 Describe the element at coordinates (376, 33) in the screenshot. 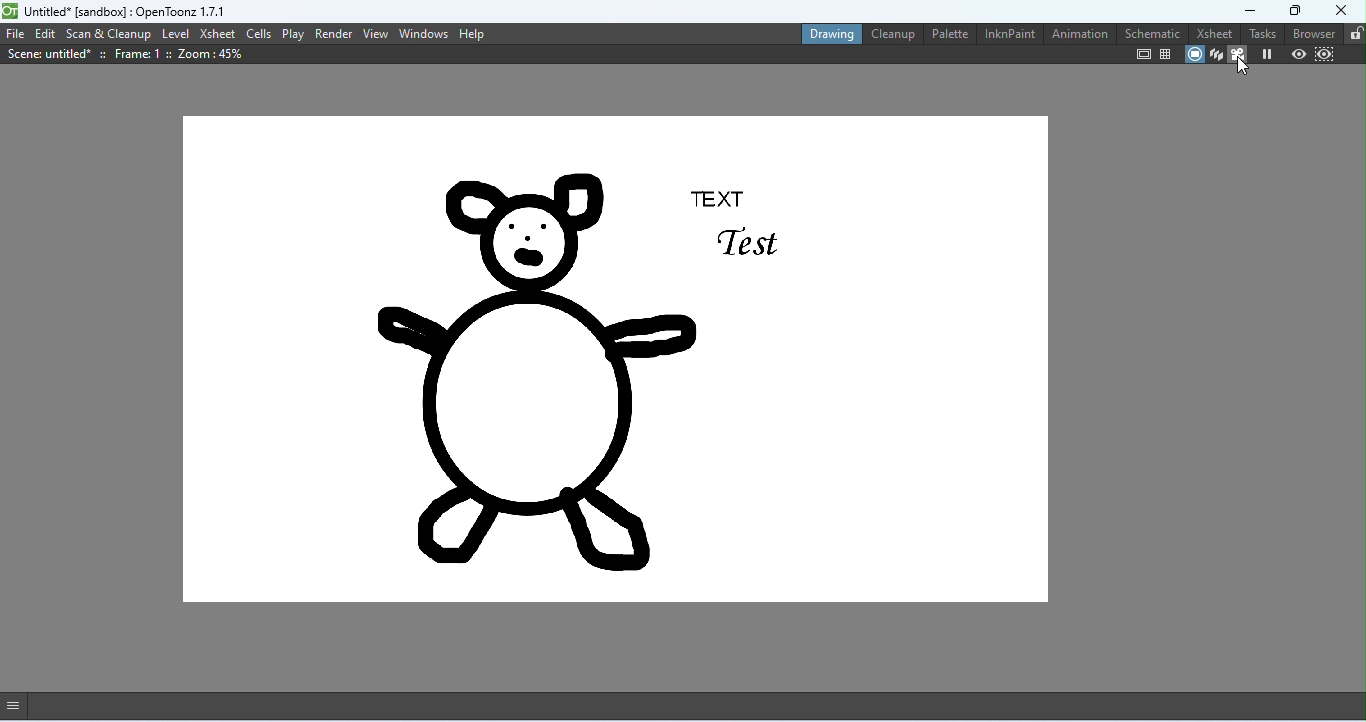

I see `view` at that location.